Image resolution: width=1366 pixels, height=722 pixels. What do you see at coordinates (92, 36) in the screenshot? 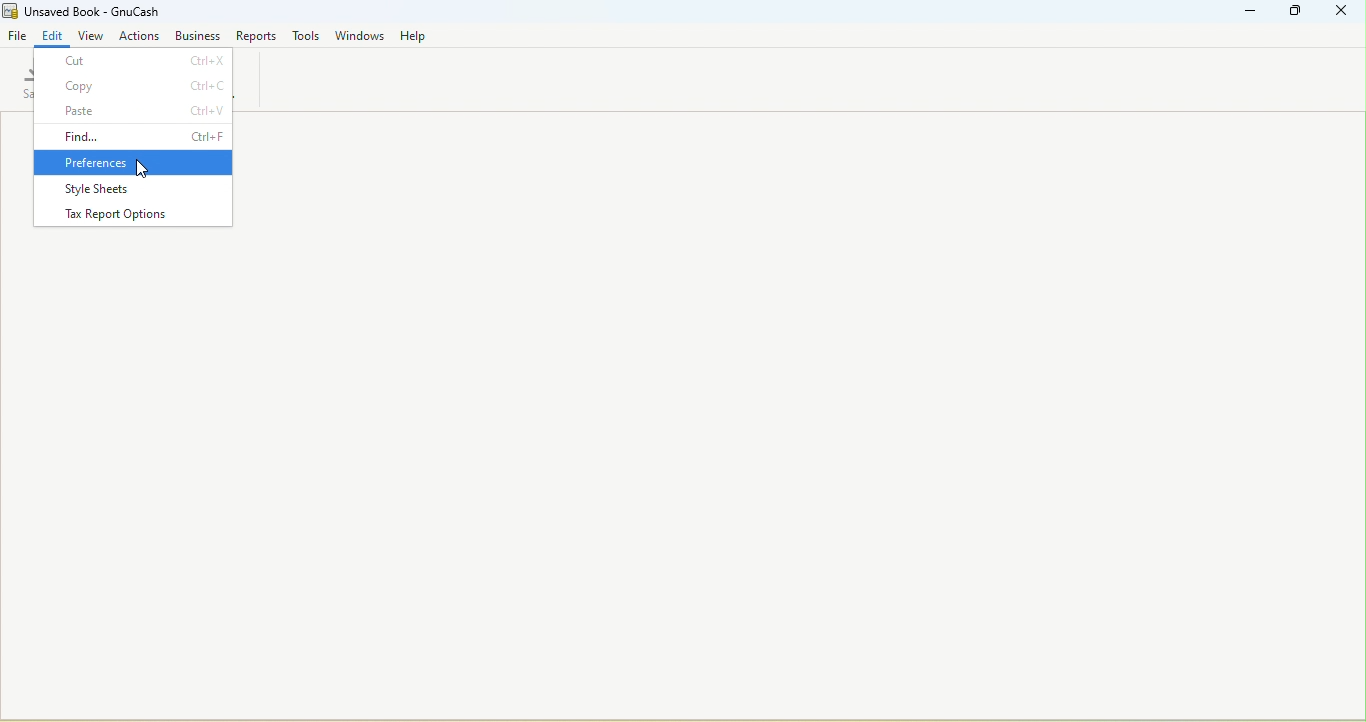
I see `View` at bounding box center [92, 36].